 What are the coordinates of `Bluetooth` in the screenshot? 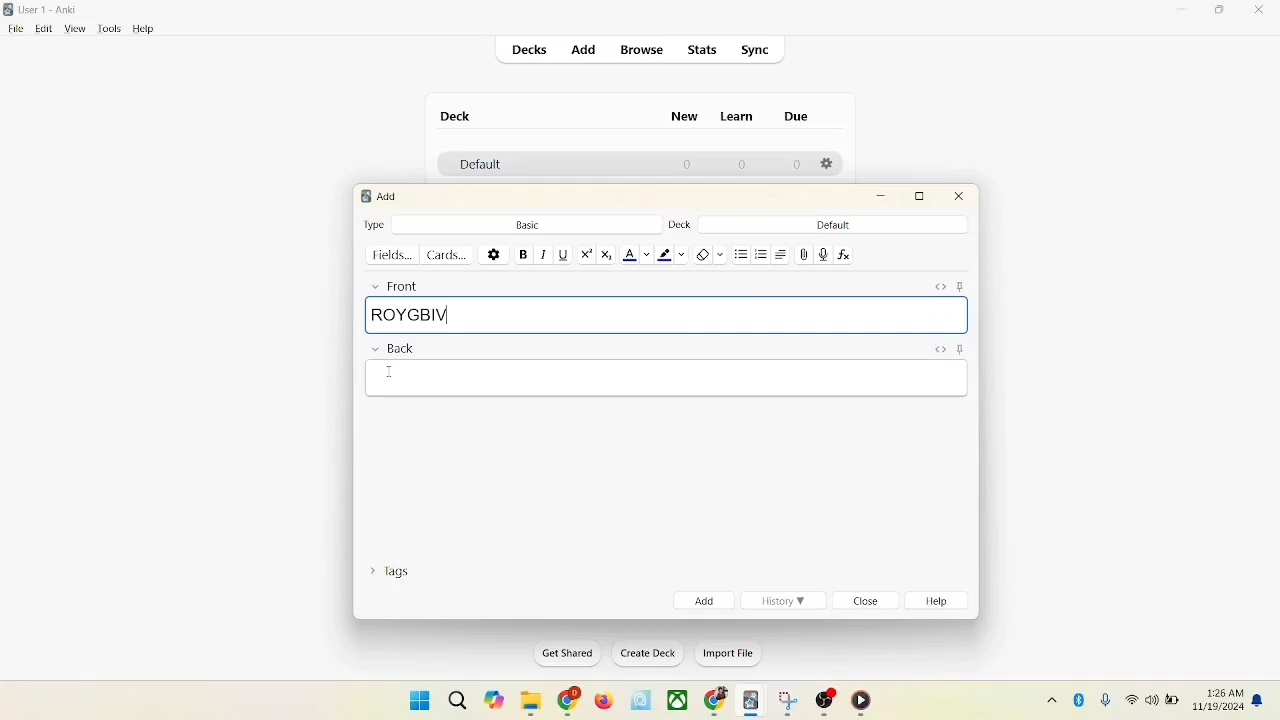 It's located at (1080, 697).